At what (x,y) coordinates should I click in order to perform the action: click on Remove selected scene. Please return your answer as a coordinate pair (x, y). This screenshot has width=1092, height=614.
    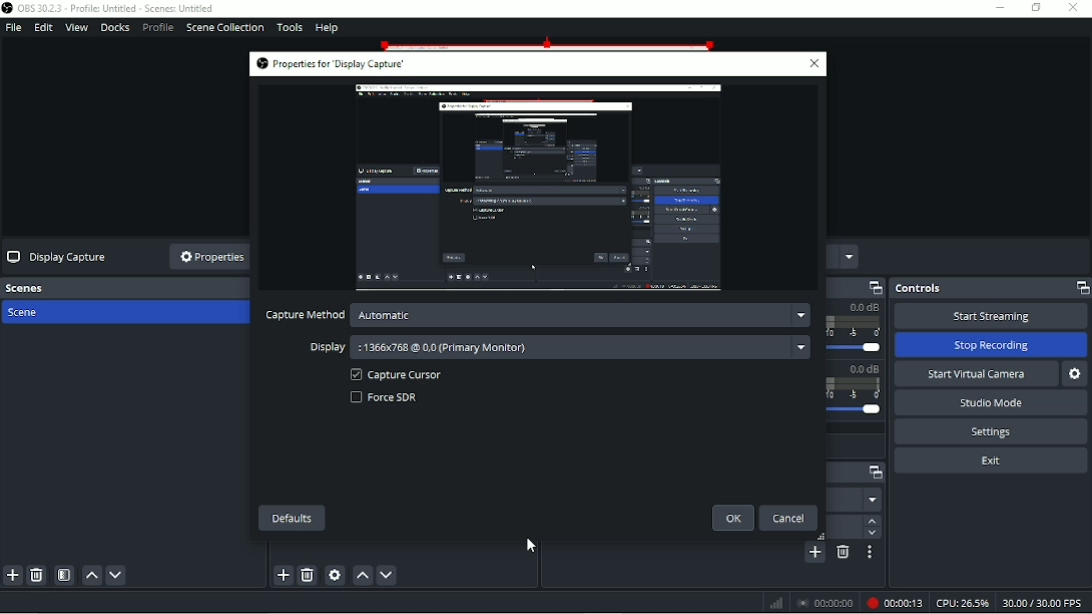
    Looking at the image, I should click on (37, 575).